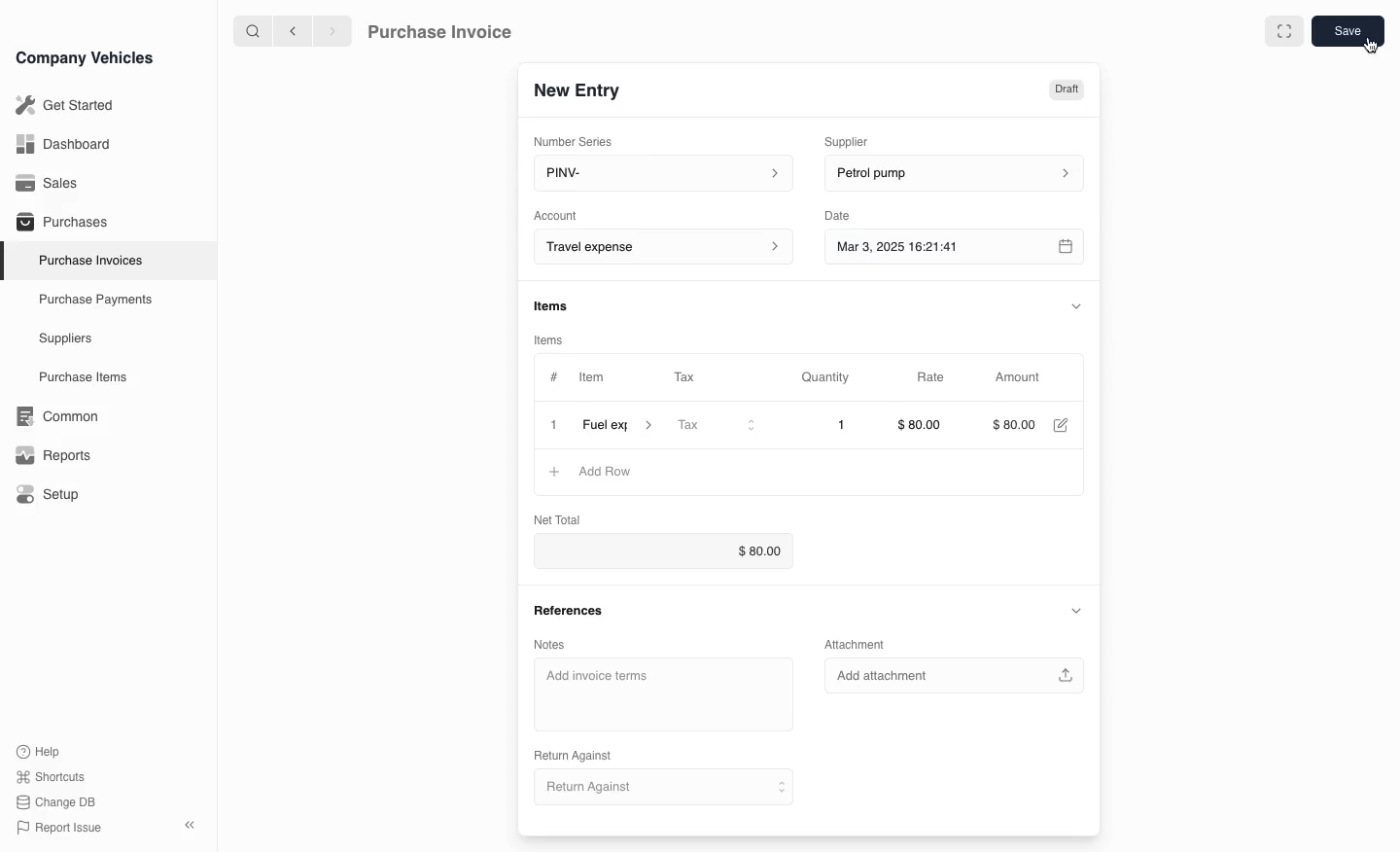  I want to click on collapse, so click(1075, 611).